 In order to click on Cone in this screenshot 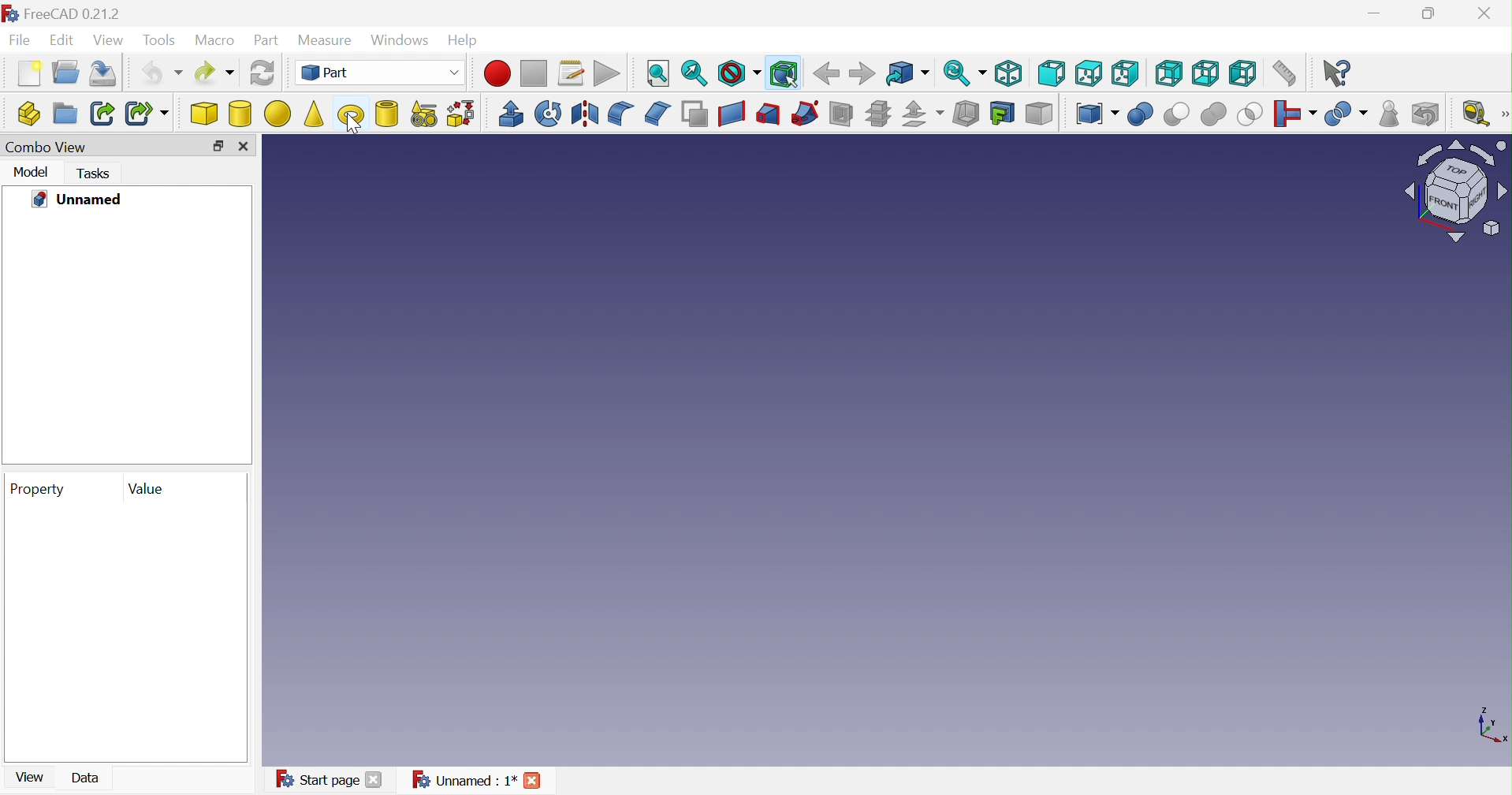, I will do `click(314, 113)`.